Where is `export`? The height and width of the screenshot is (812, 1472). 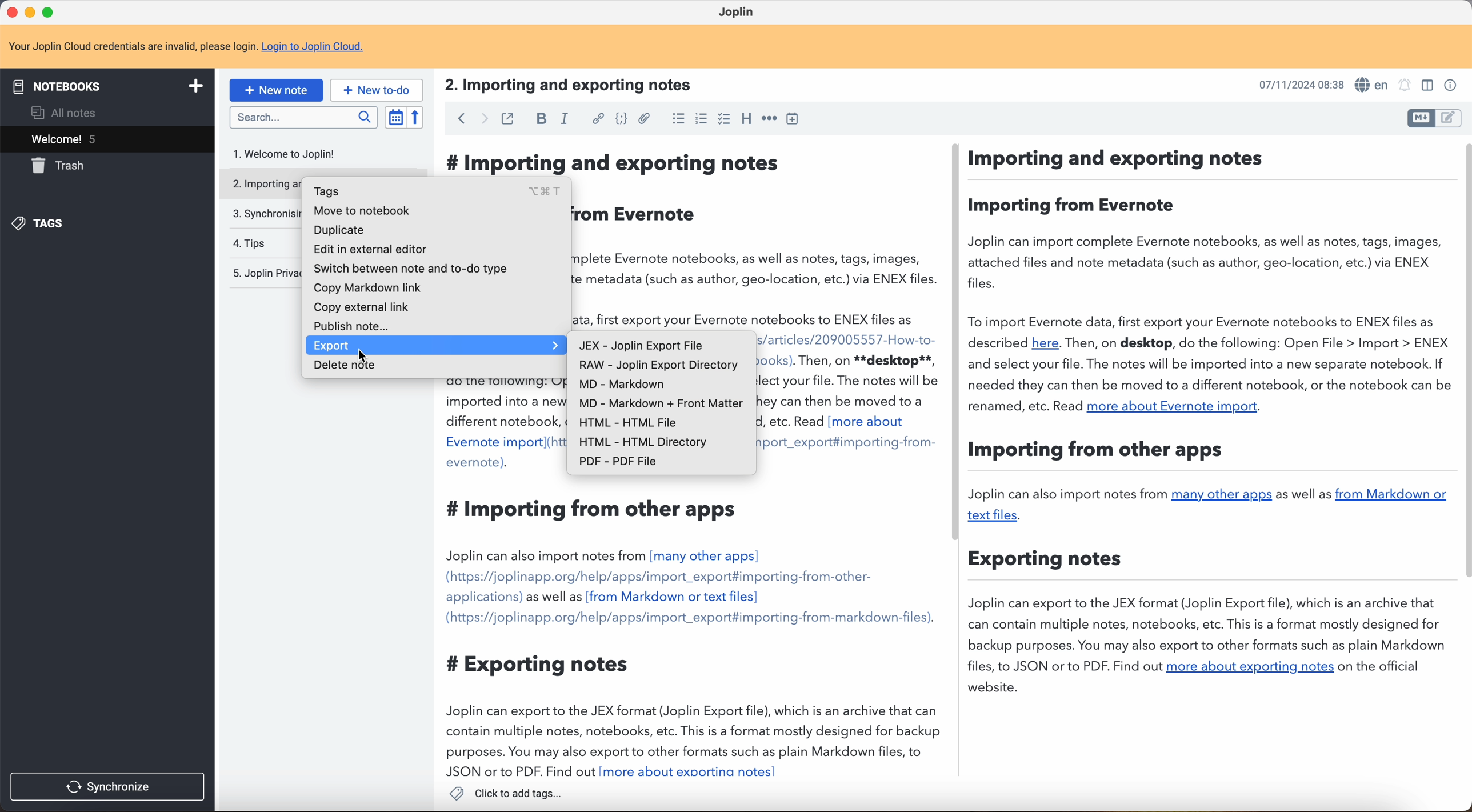
export is located at coordinates (327, 345).